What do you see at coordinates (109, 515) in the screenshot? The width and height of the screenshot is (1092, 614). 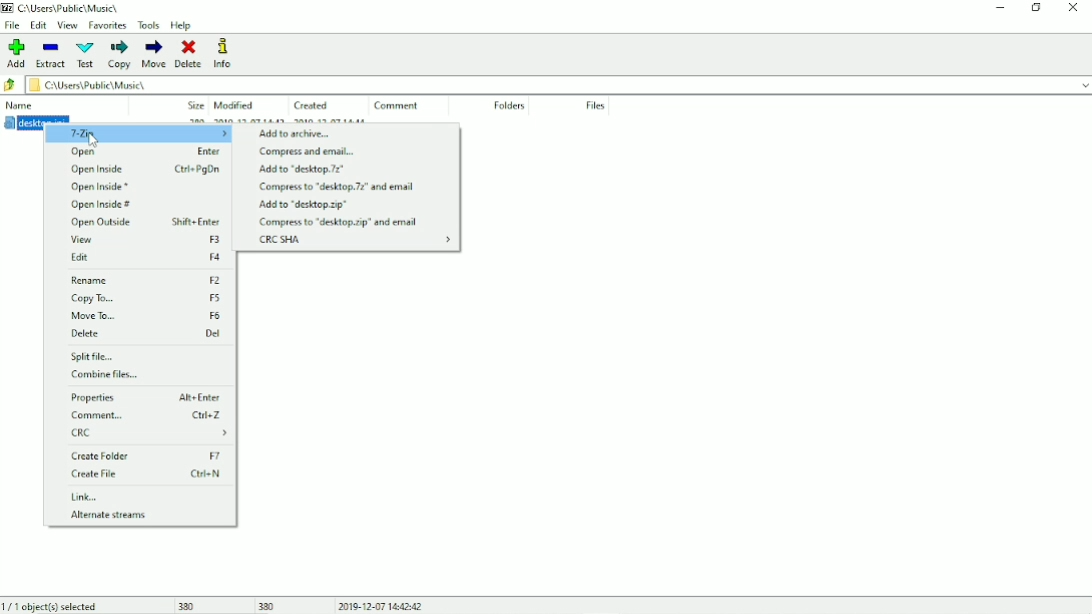 I see `Alternate streams` at bounding box center [109, 515].